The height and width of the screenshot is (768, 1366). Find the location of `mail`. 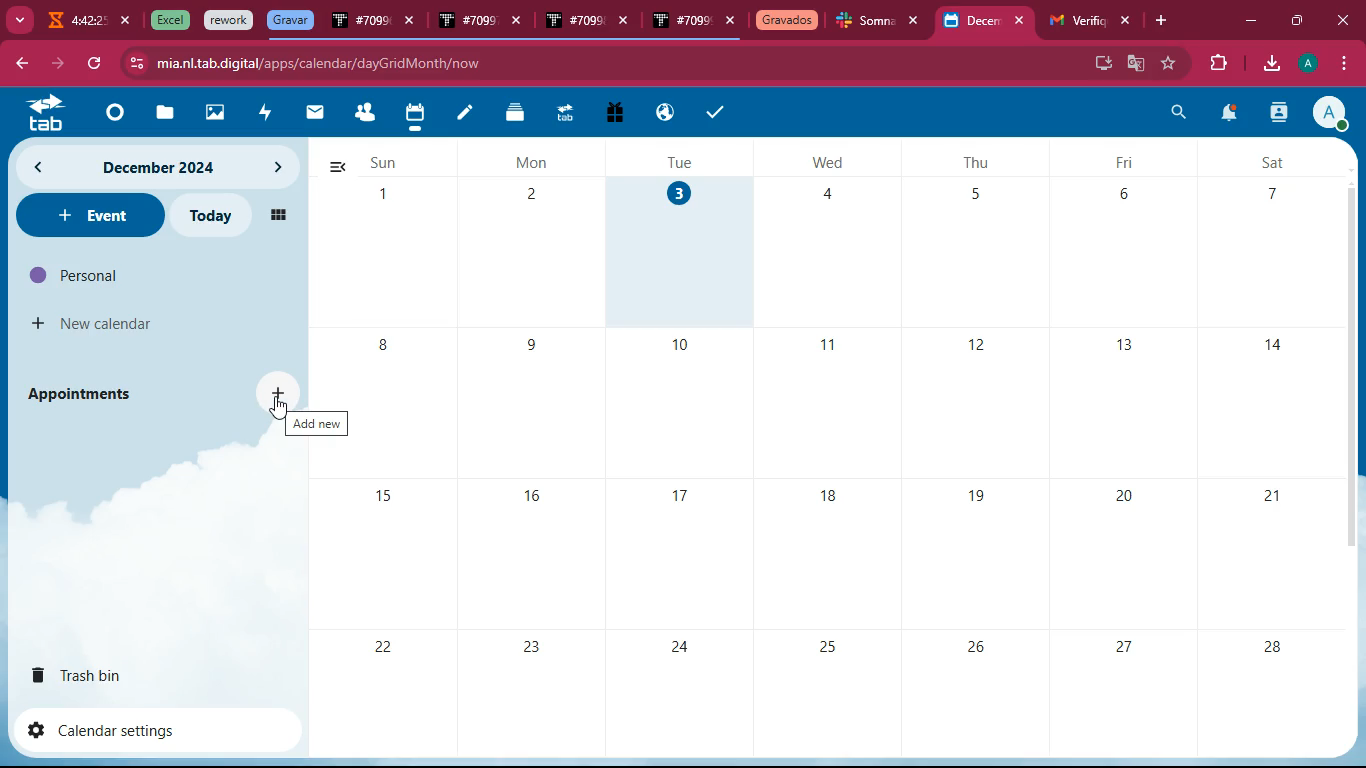

mail is located at coordinates (315, 113).